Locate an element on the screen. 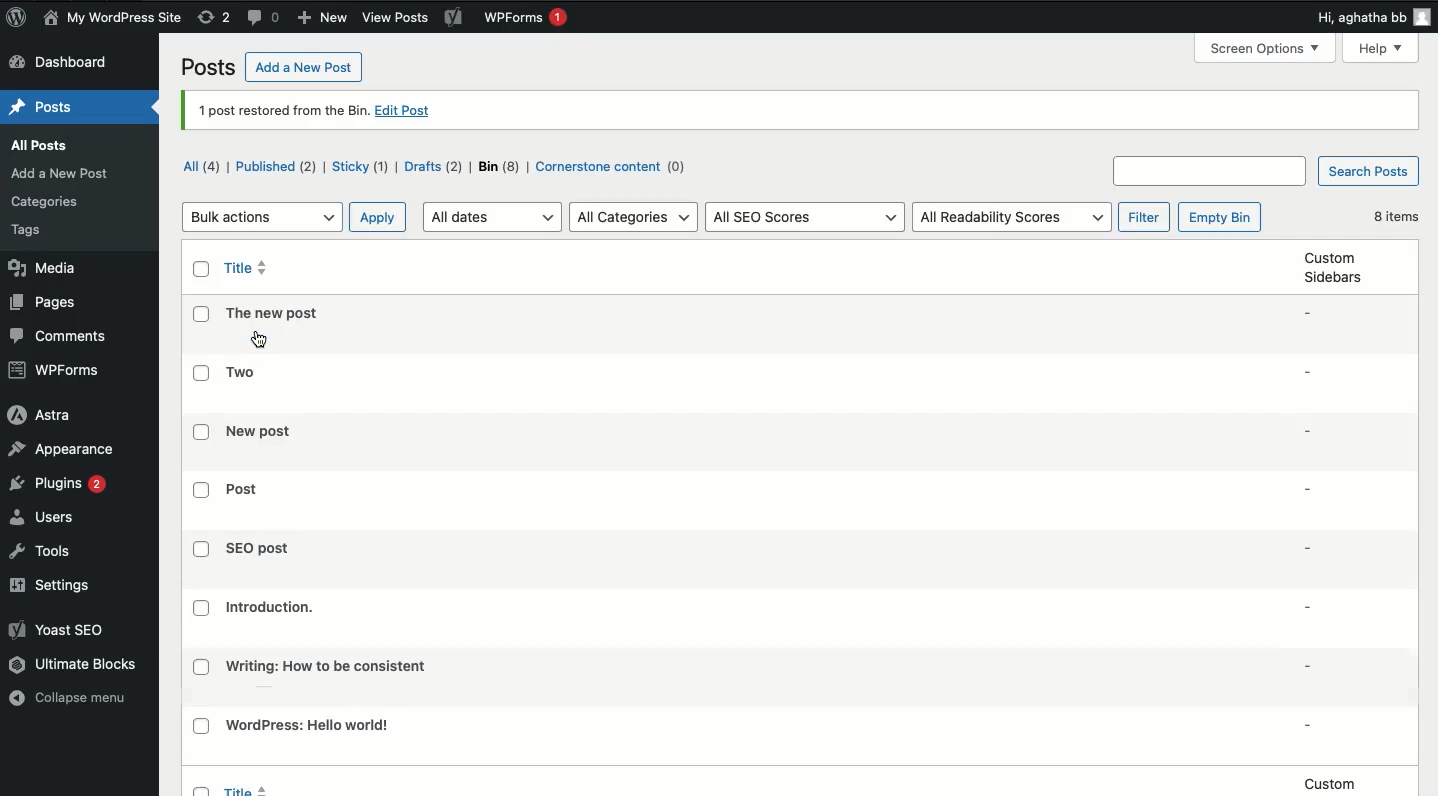 This screenshot has width=1438, height=796. Bulk actions is located at coordinates (261, 217).